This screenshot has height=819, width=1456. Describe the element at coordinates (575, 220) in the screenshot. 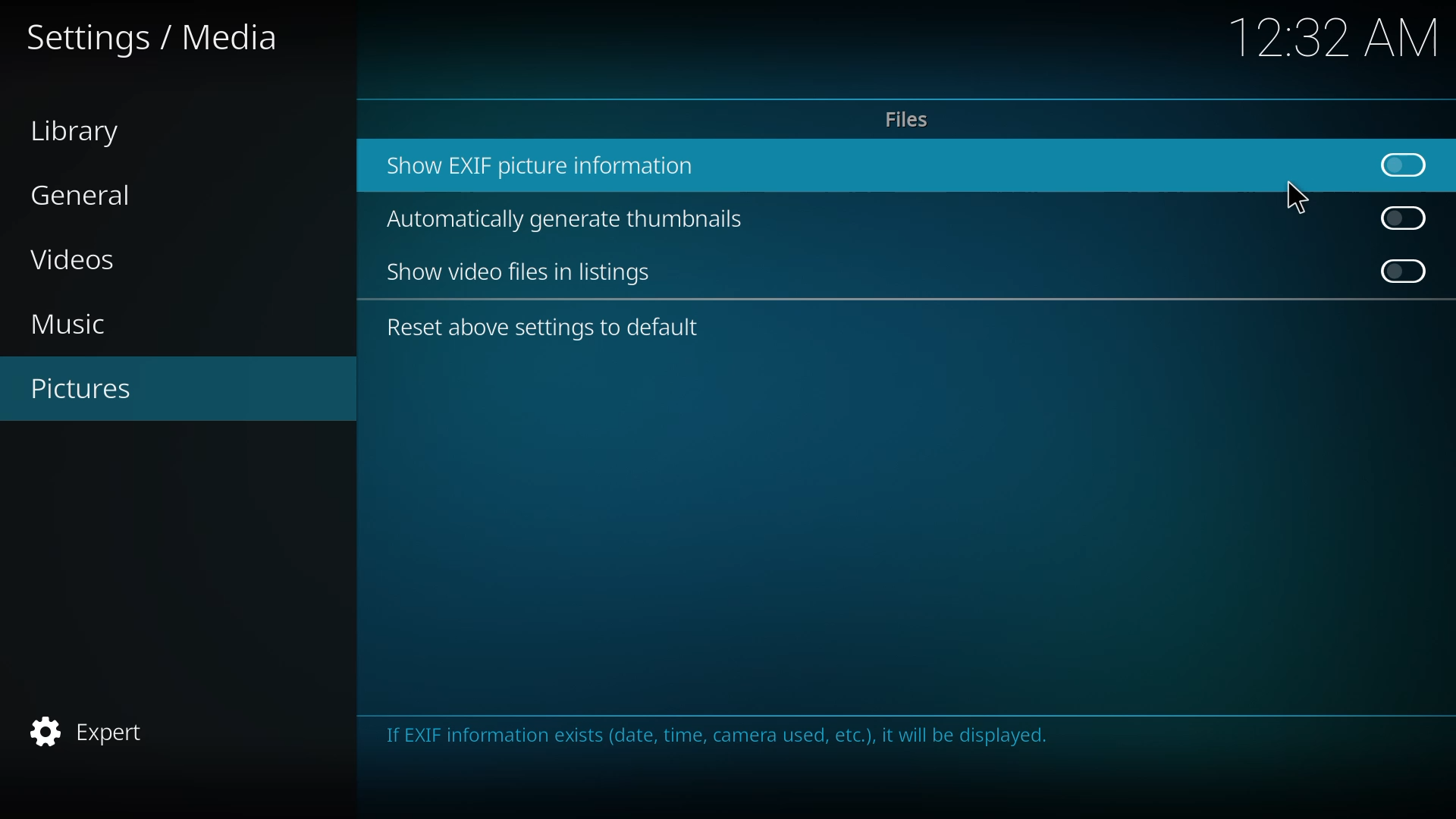

I see `automatically generate thumbnails` at that location.